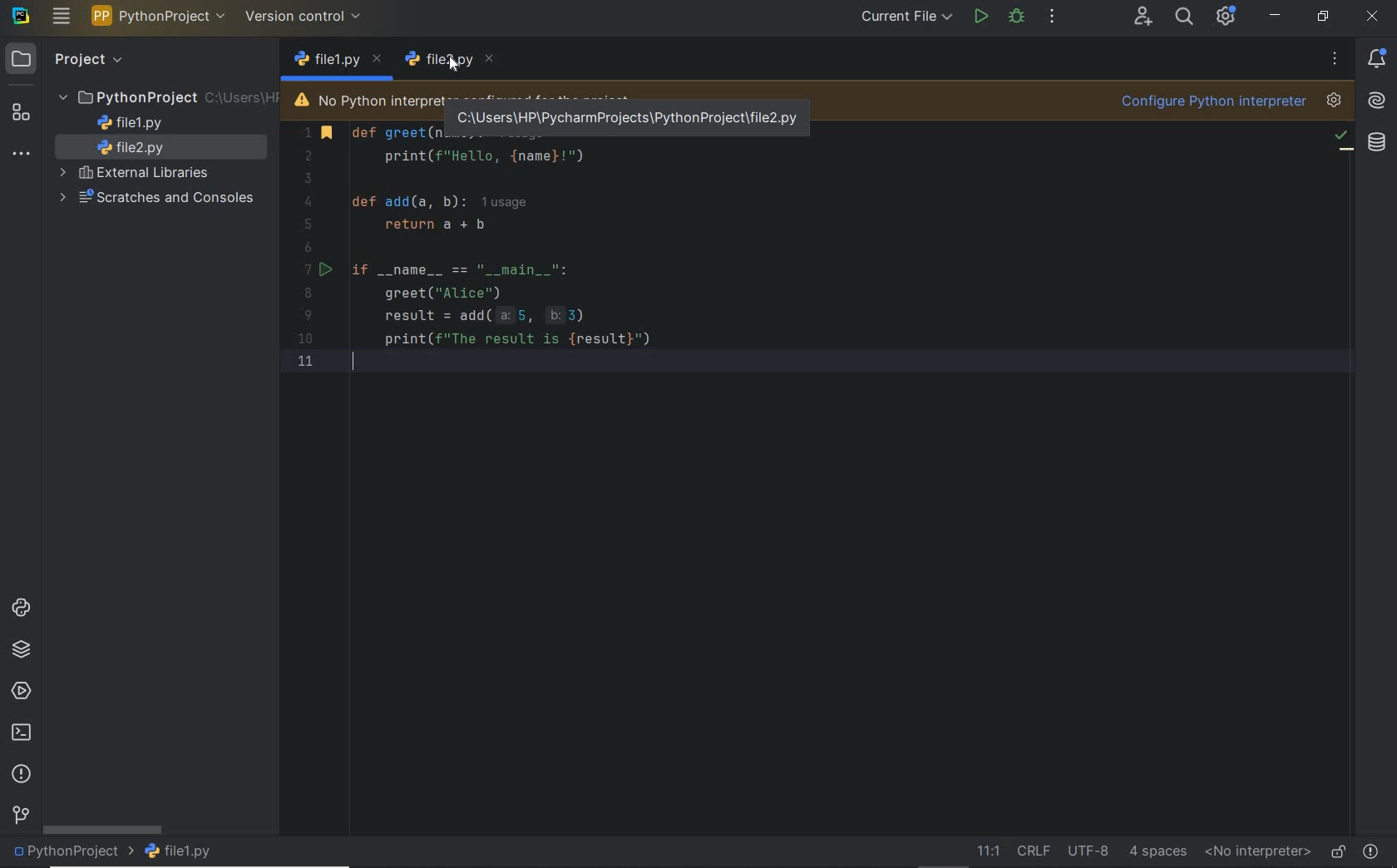  What do you see at coordinates (137, 174) in the screenshot?
I see `external libraries` at bounding box center [137, 174].